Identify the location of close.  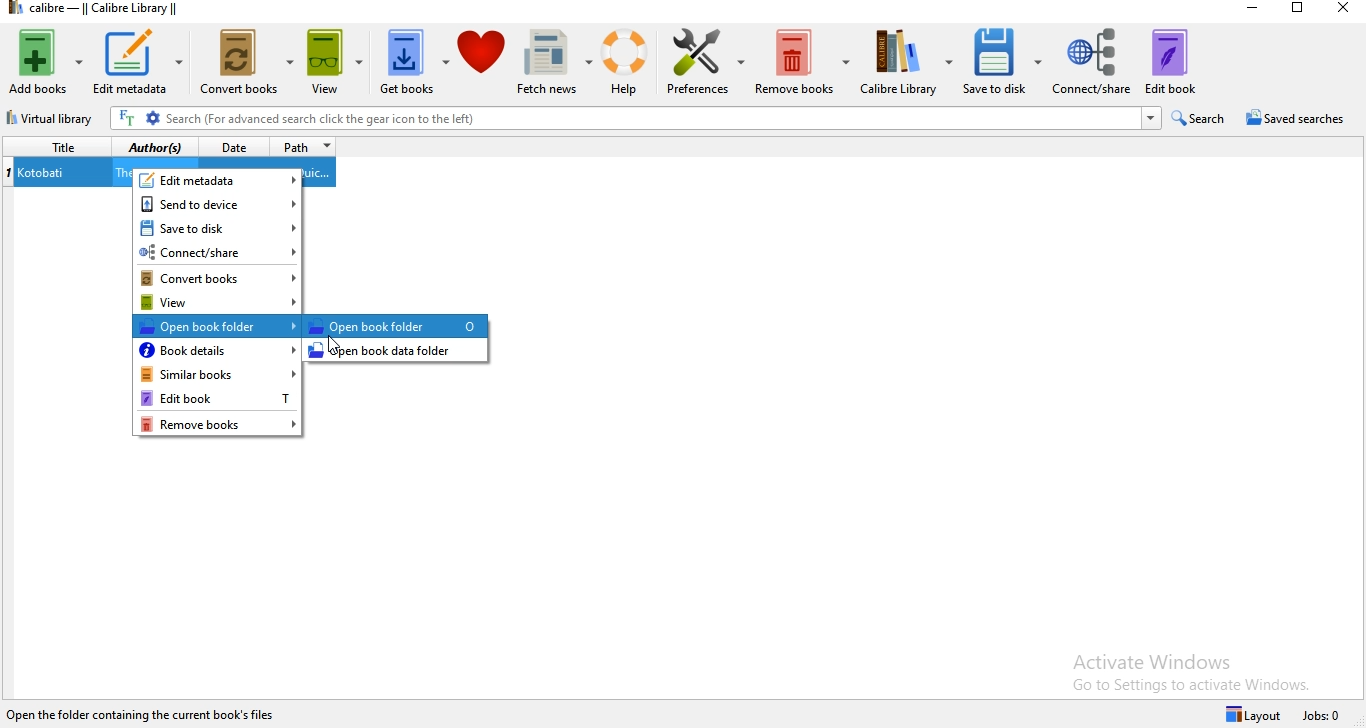
(1345, 10).